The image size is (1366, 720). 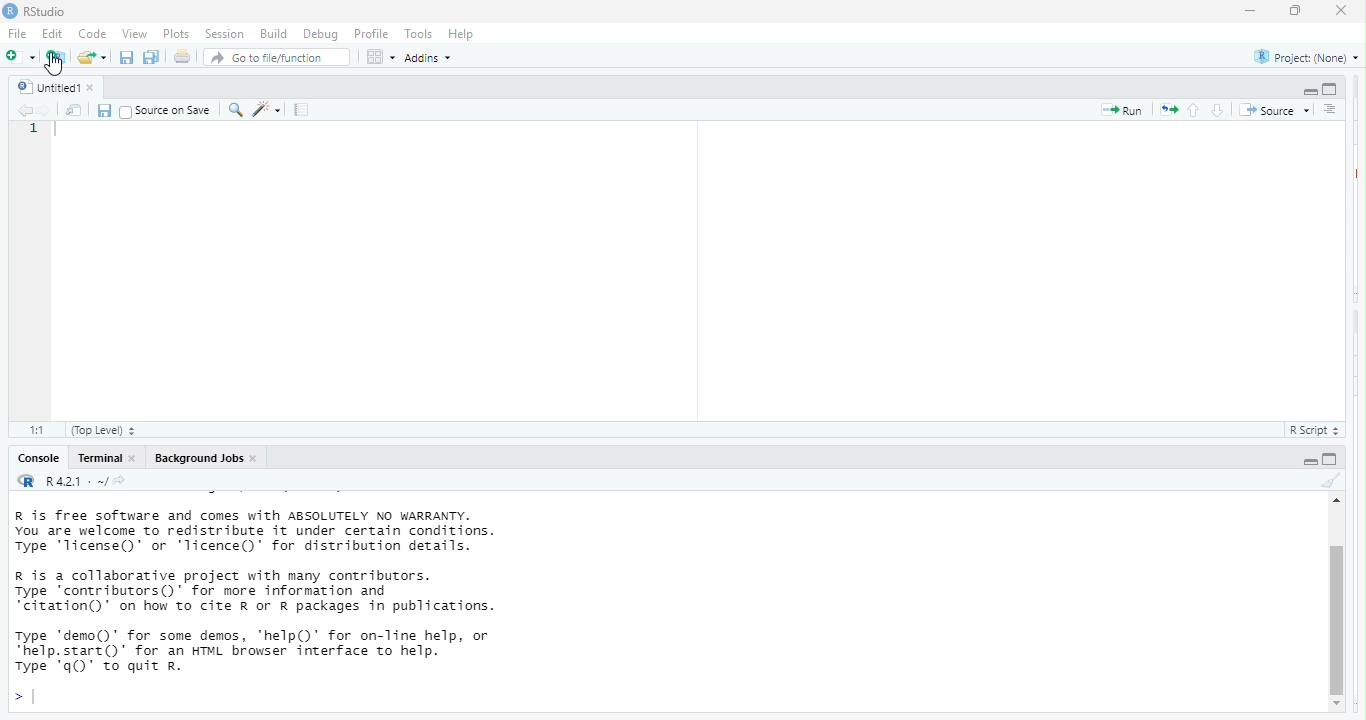 What do you see at coordinates (1196, 111) in the screenshot?
I see `go to previous section/chunk` at bounding box center [1196, 111].